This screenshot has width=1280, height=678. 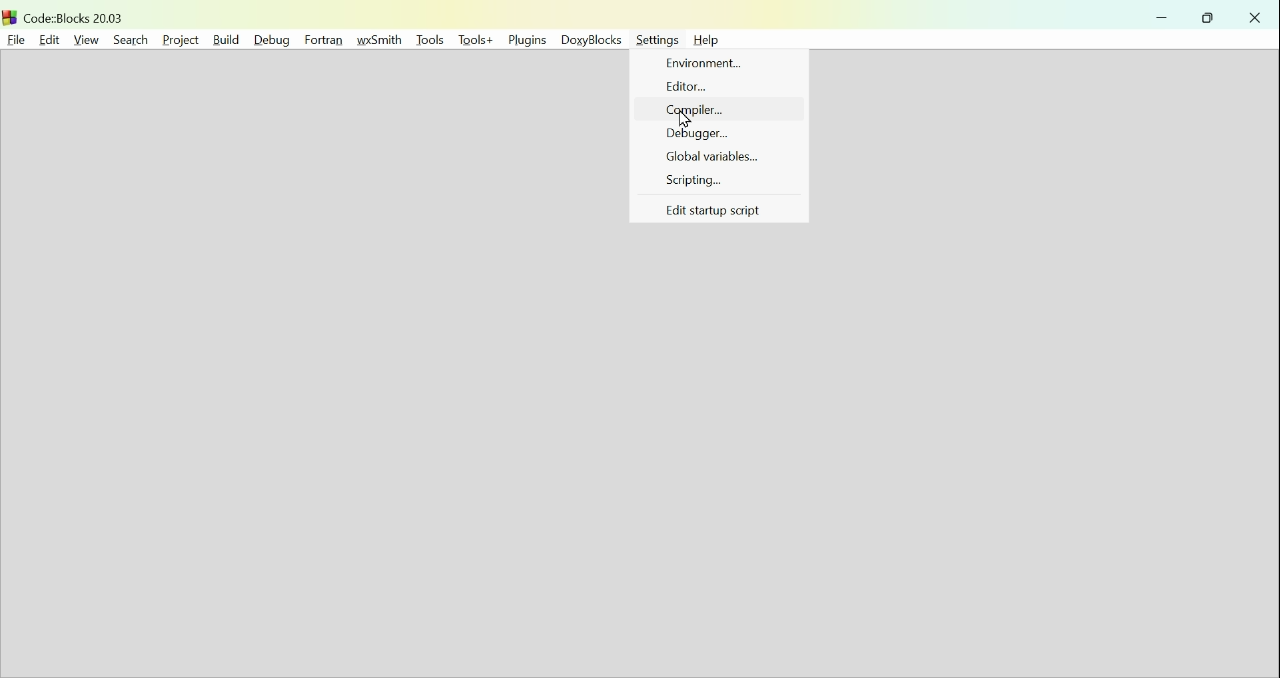 What do you see at coordinates (713, 156) in the screenshot?
I see `Global variables` at bounding box center [713, 156].